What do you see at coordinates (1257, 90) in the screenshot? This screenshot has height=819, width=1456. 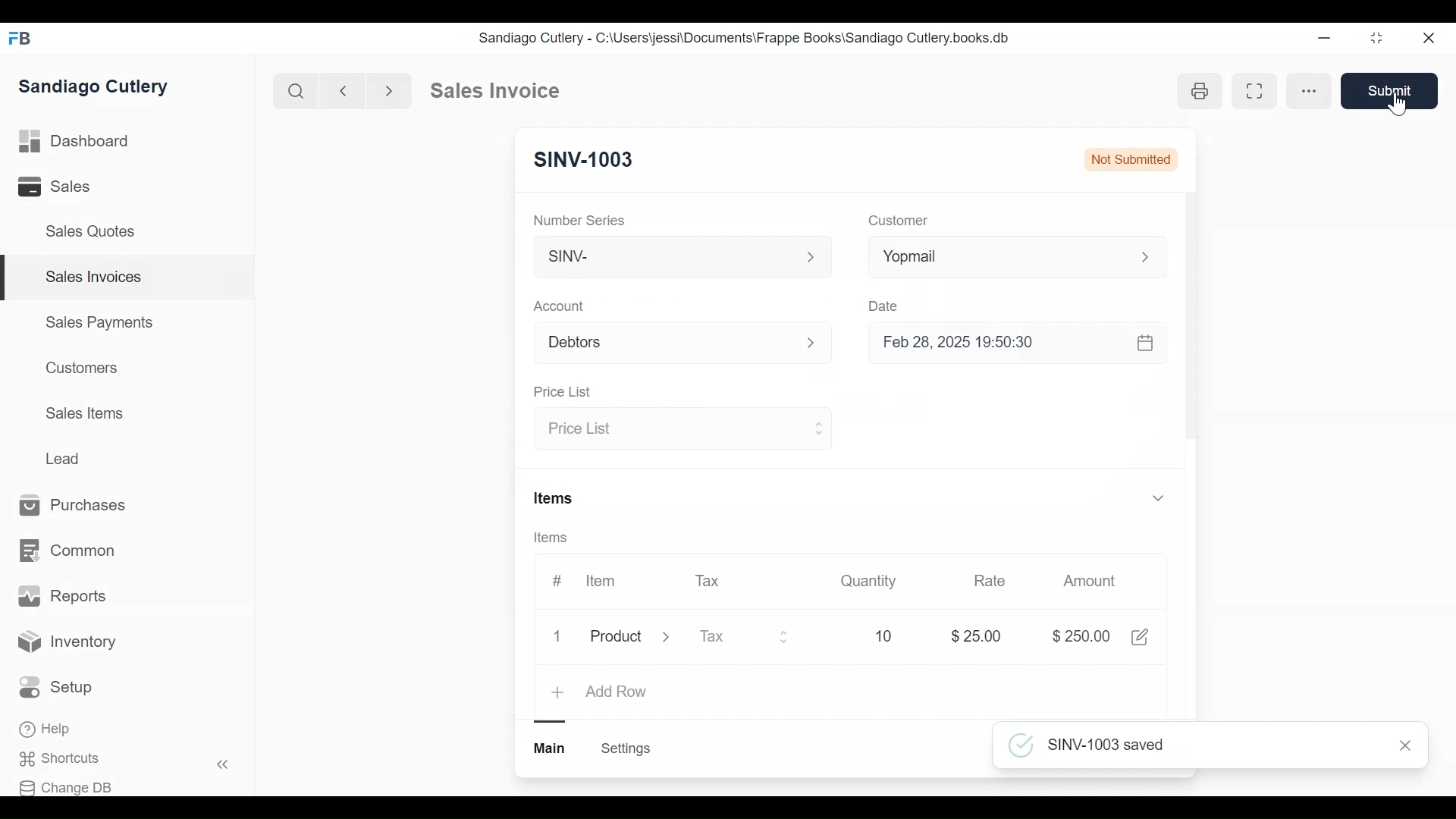 I see `fullscreen` at bounding box center [1257, 90].